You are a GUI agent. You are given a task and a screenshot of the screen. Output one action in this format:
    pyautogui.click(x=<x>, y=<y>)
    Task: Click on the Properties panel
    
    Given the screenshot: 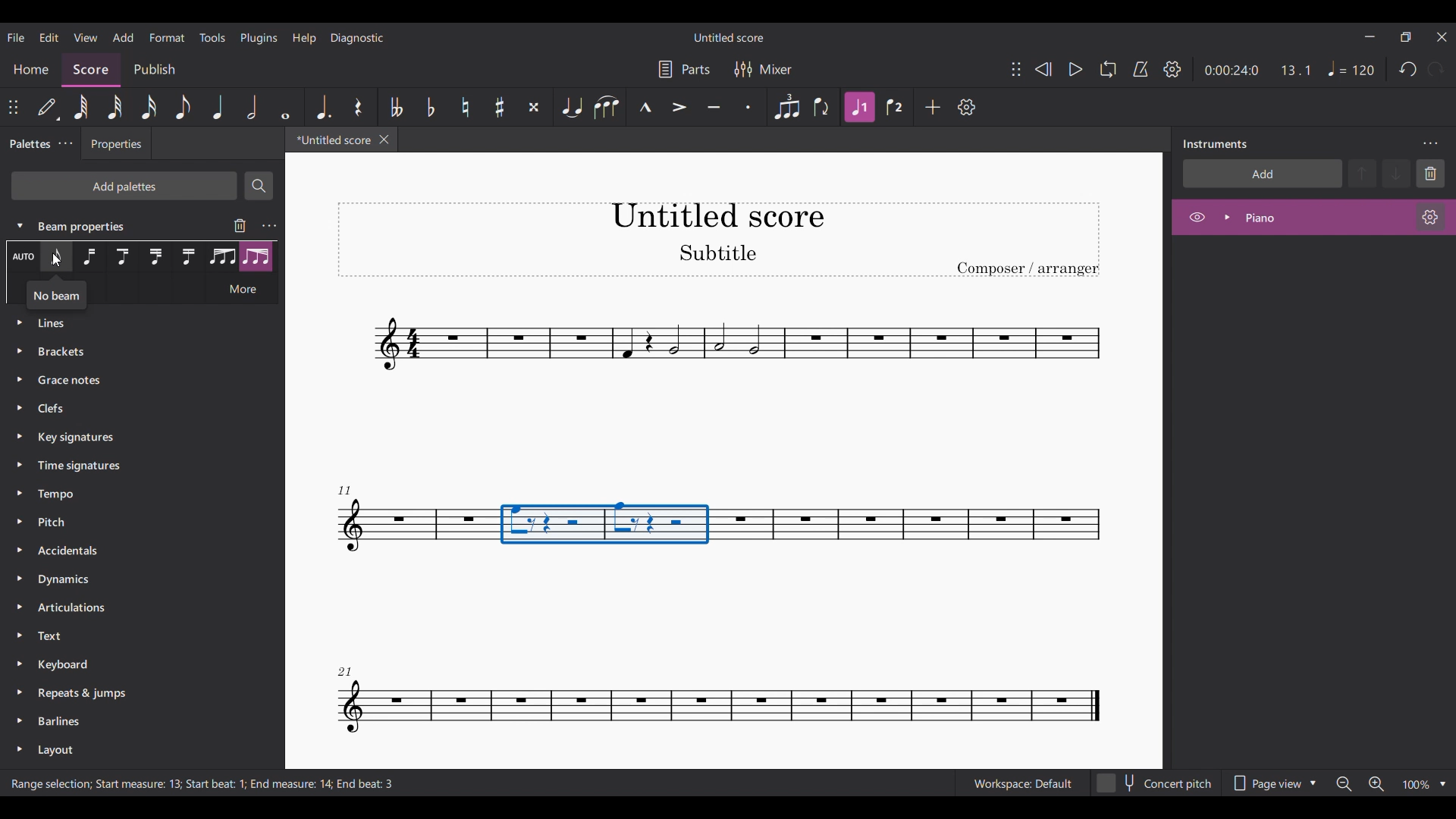 What is the action you would take?
    pyautogui.click(x=116, y=147)
    